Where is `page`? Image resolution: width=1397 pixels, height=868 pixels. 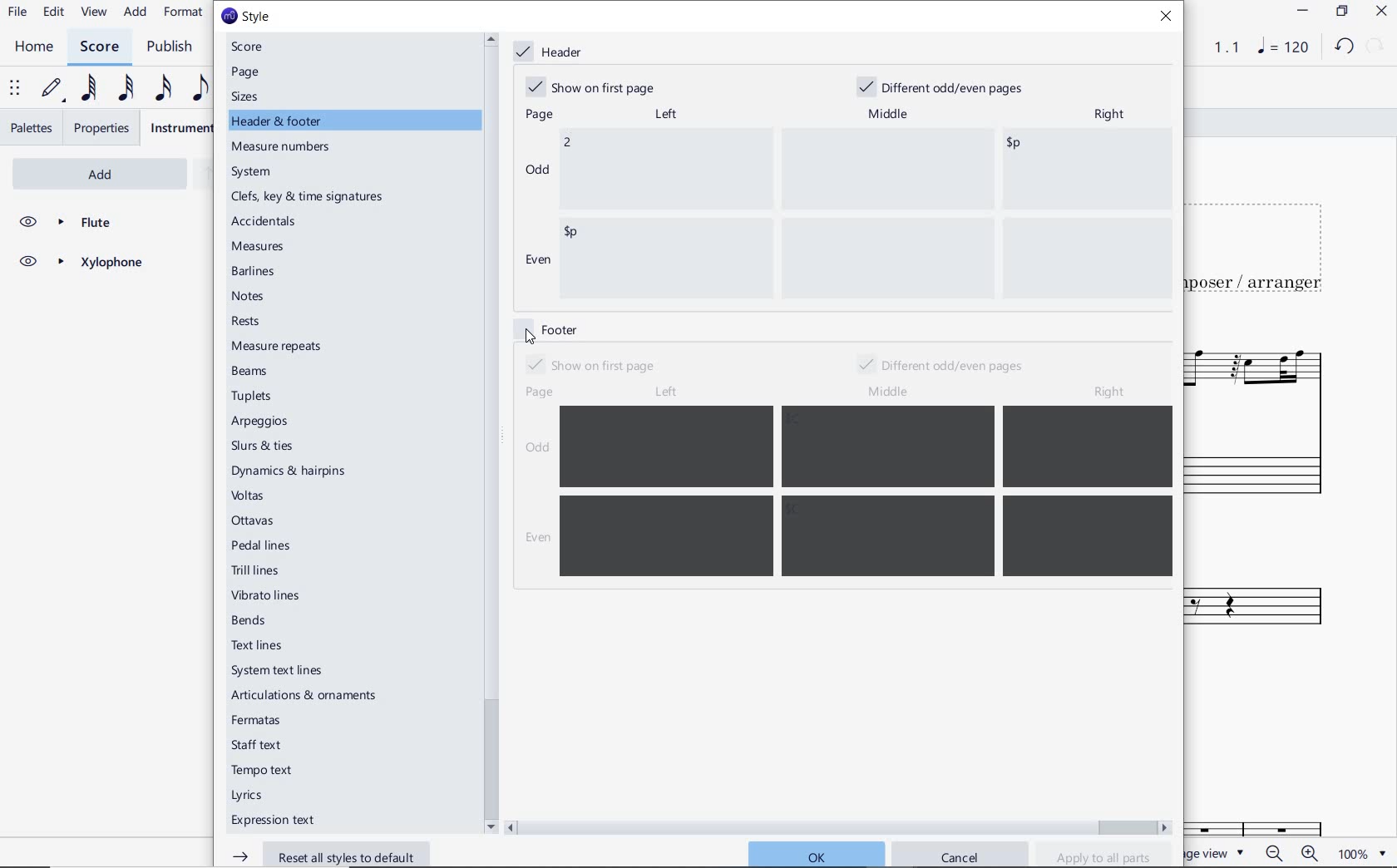
page is located at coordinates (247, 72).